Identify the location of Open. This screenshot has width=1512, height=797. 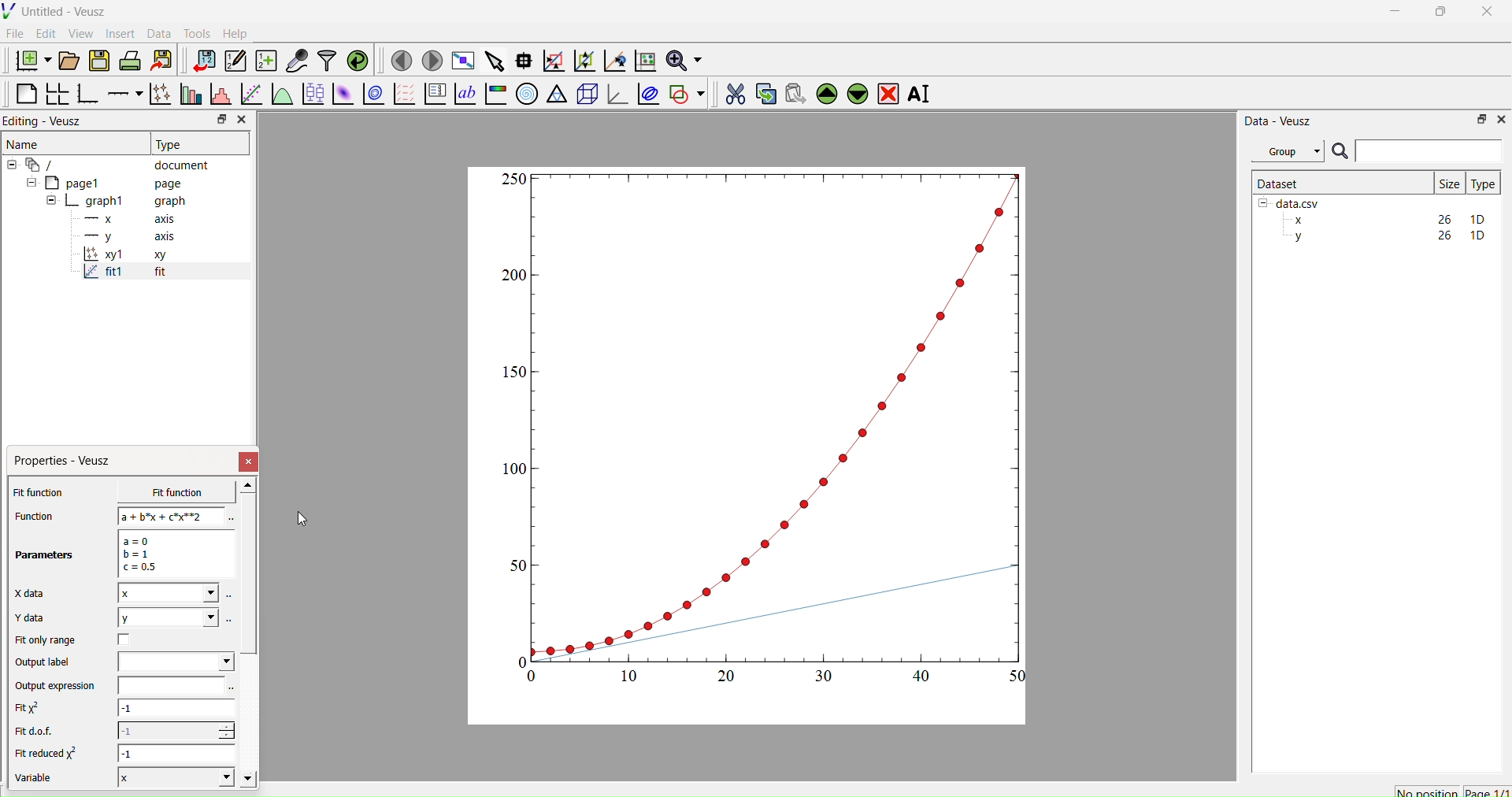
(66, 61).